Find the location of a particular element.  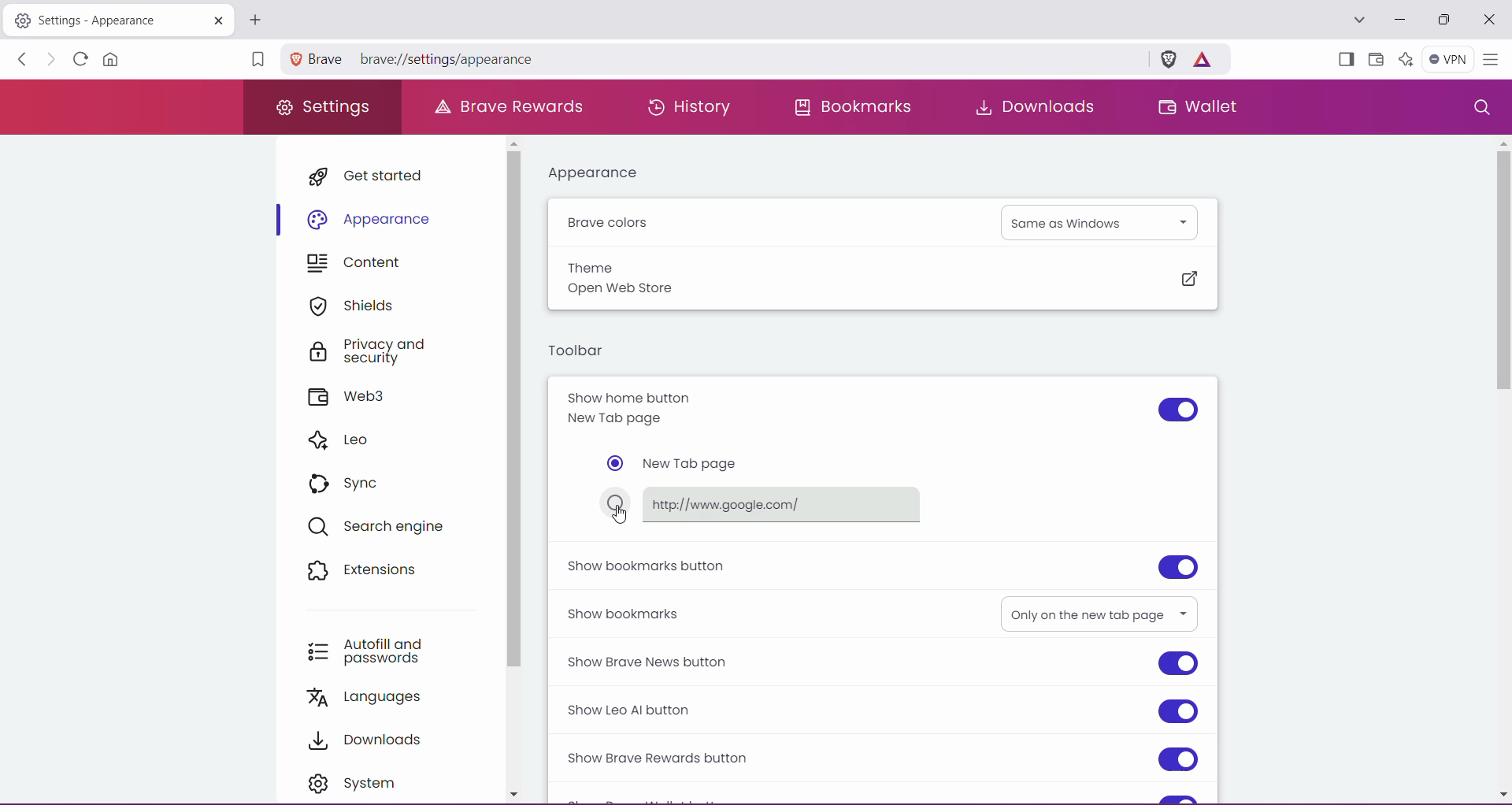

Show Bookmarks is located at coordinates (626, 612).